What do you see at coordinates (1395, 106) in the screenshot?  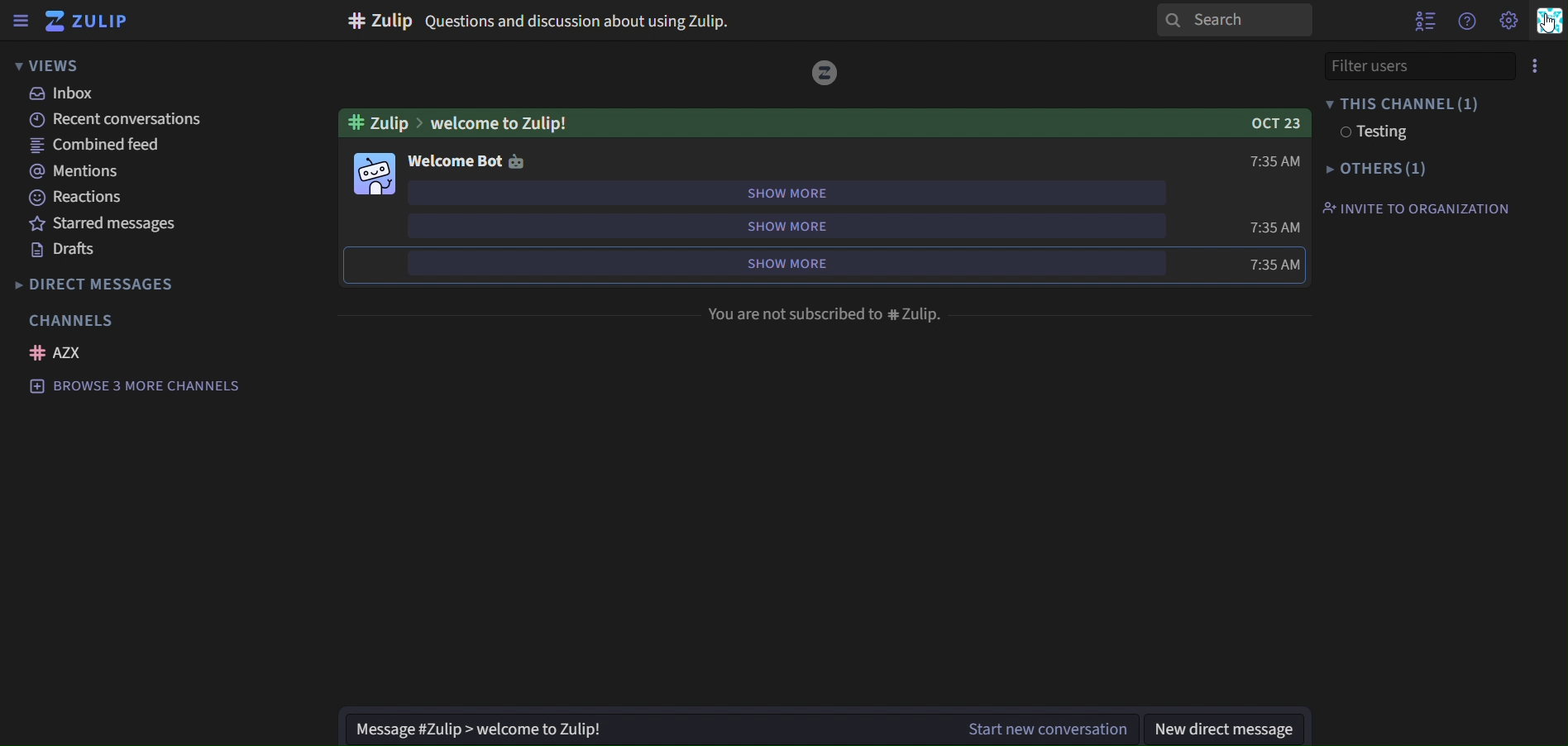 I see `this channel` at bounding box center [1395, 106].